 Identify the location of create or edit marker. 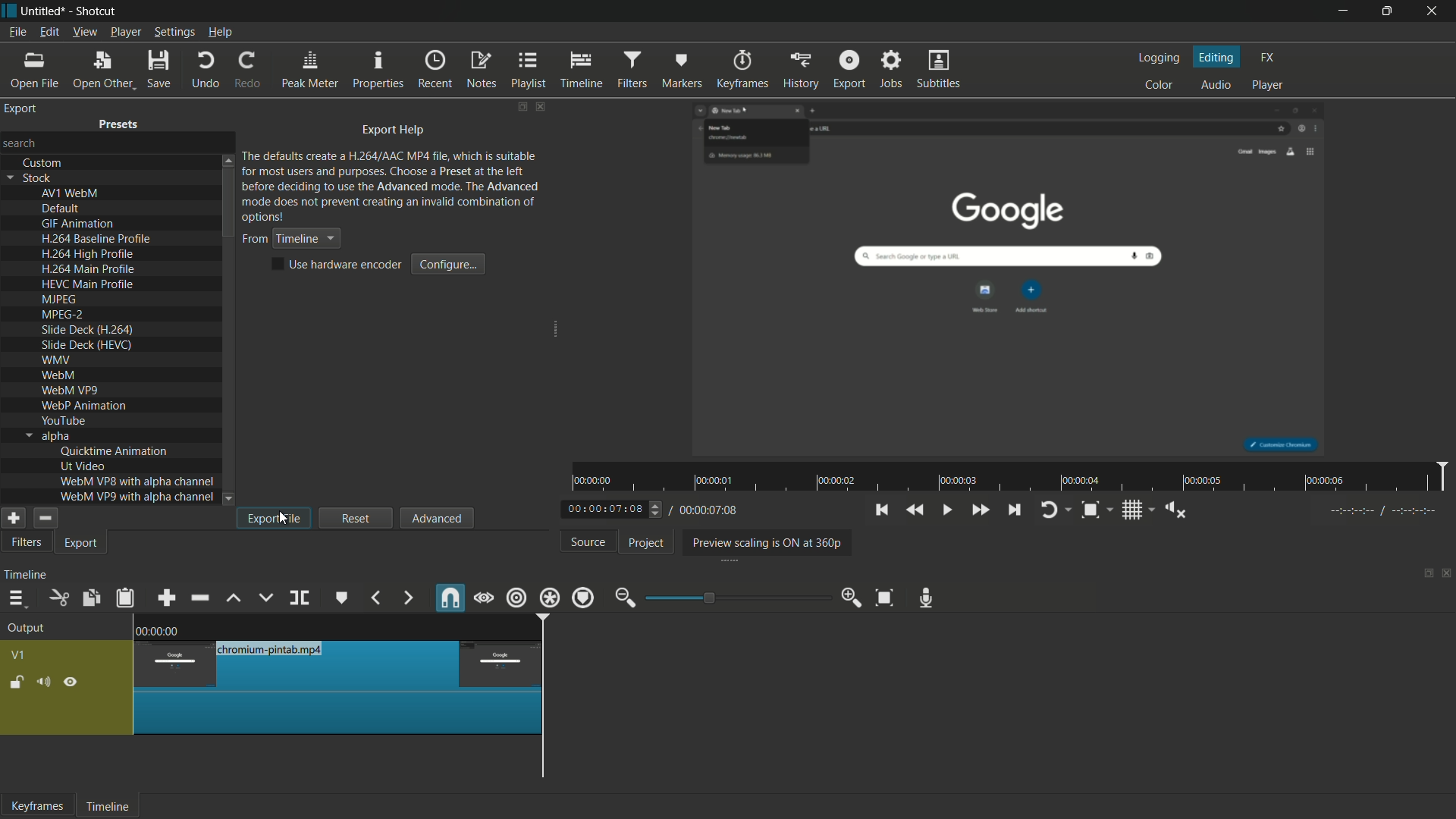
(342, 598).